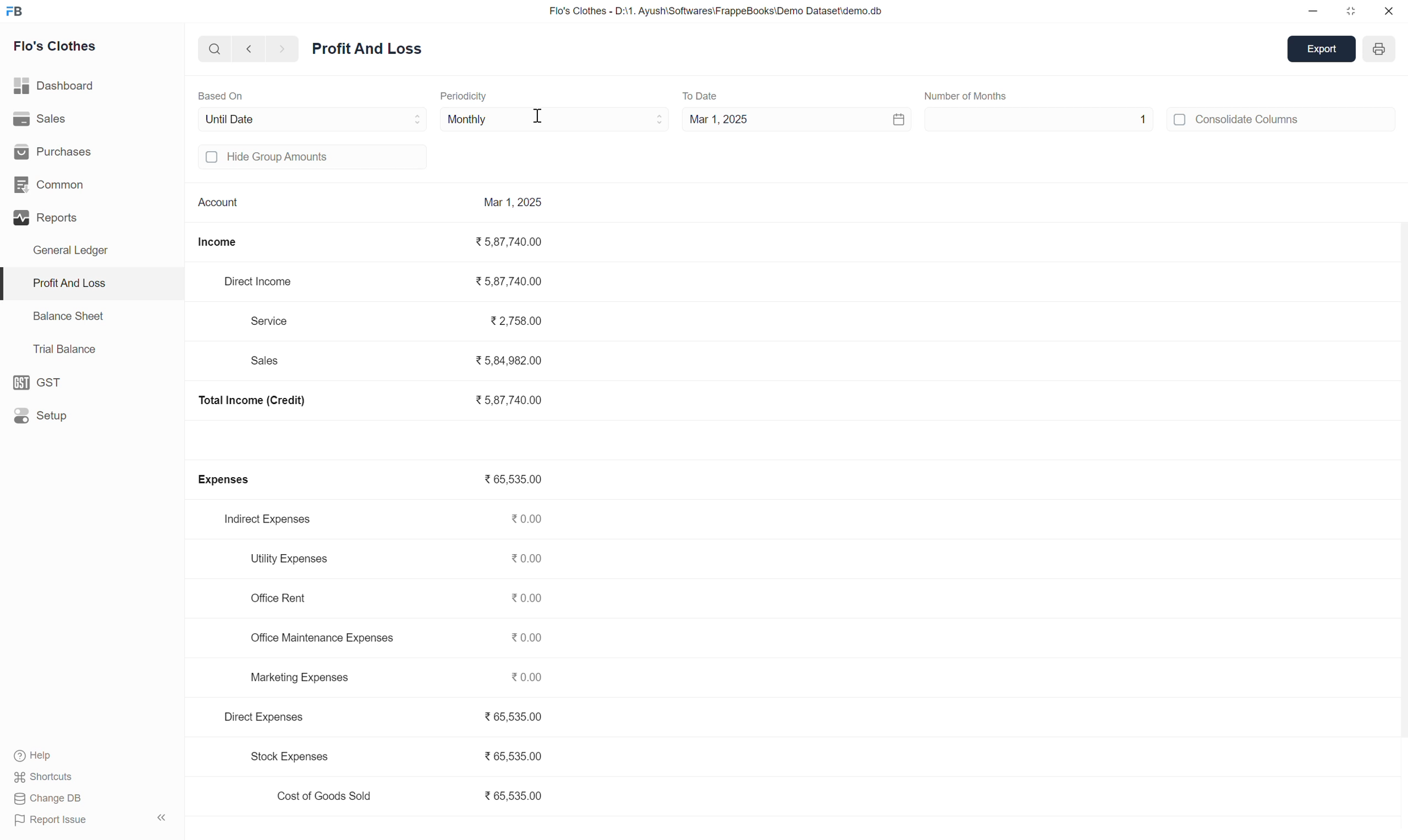  What do you see at coordinates (49, 778) in the screenshot?
I see `Shortcuts` at bounding box center [49, 778].